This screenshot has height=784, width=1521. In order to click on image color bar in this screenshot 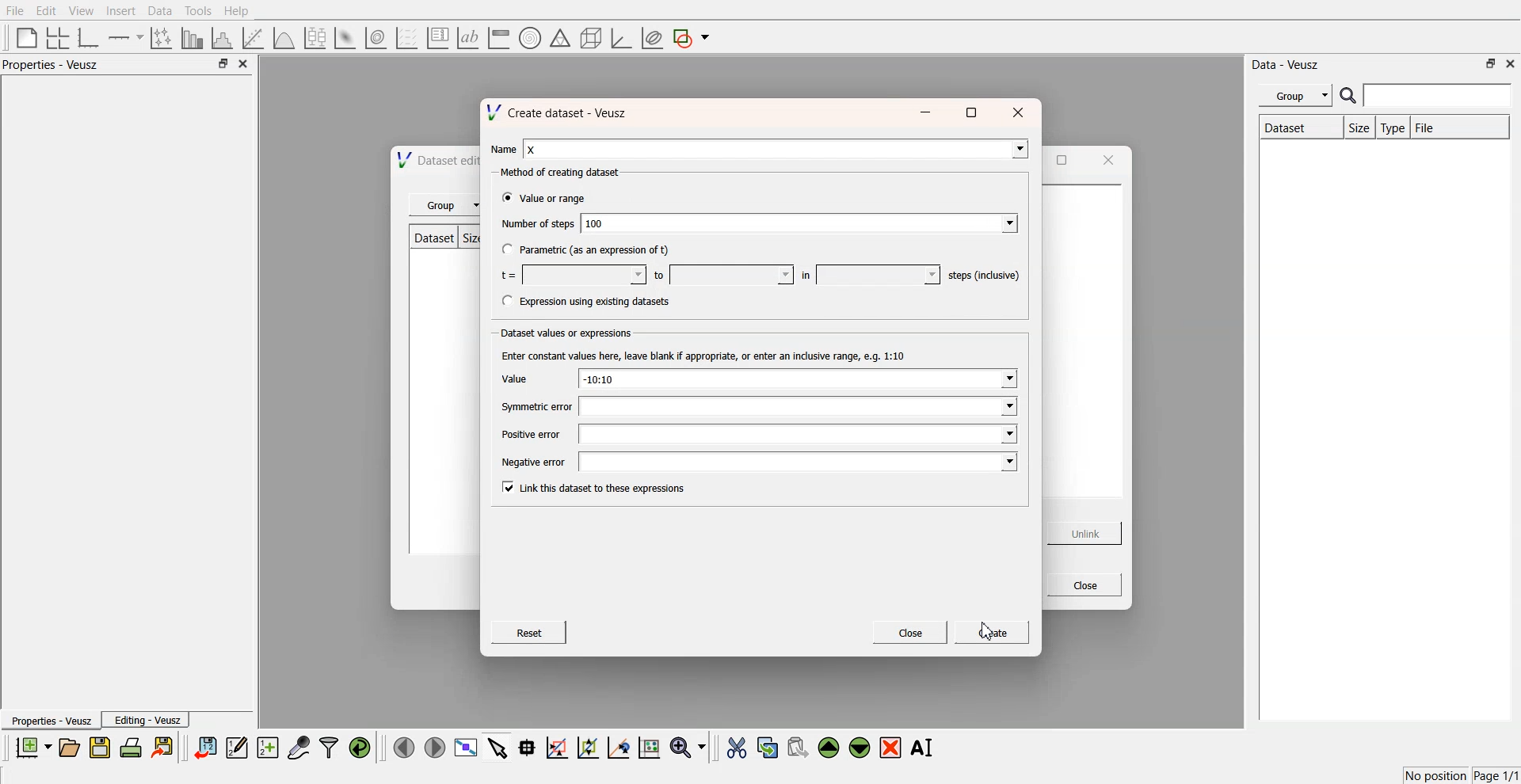, I will do `click(498, 39)`.